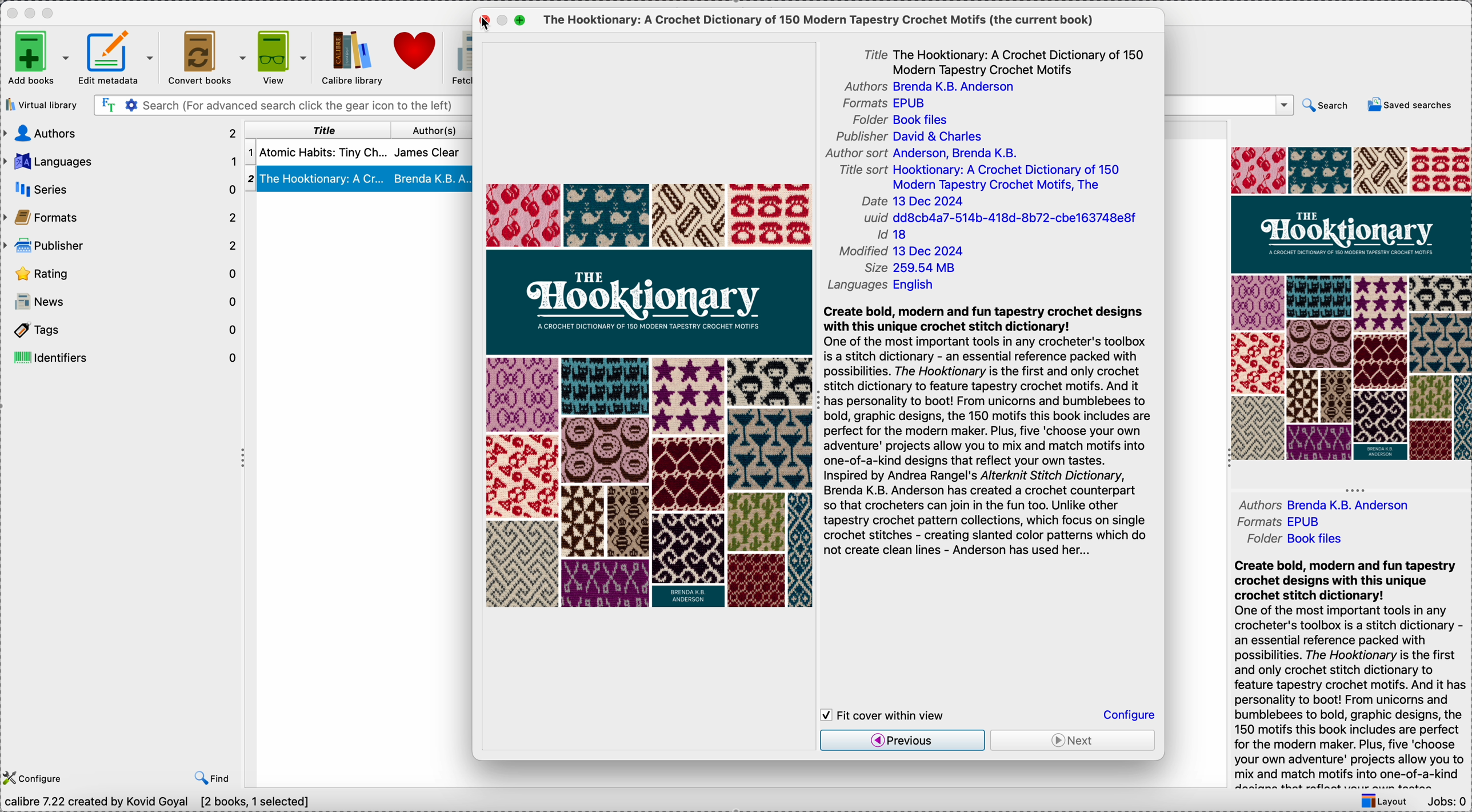 The width and height of the screenshot is (1472, 812). What do you see at coordinates (413, 51) in the screenshot?
I see `donate` at bounding box center [413, 51].